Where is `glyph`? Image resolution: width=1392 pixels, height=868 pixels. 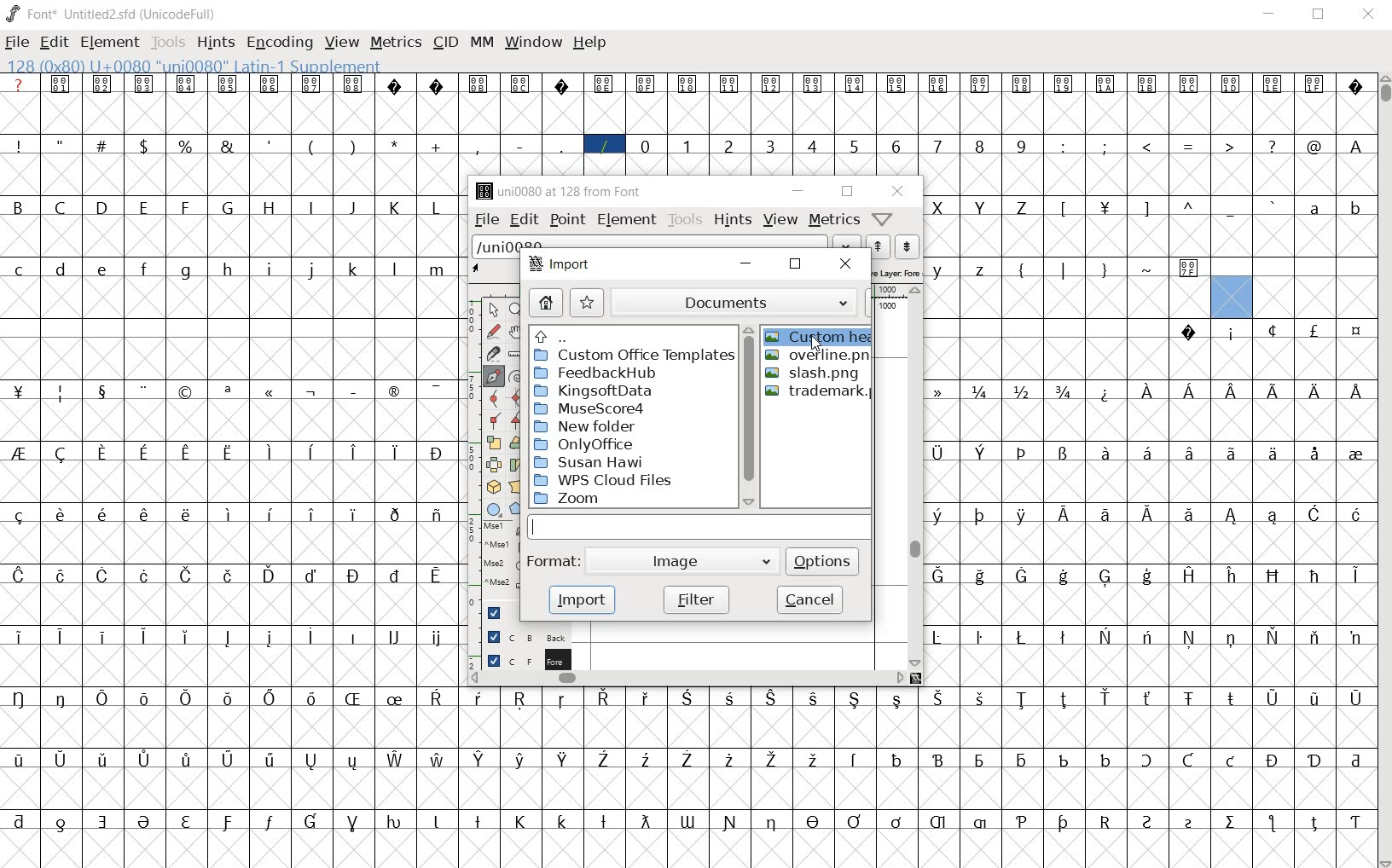
glyph is located at coordinates (1022, 637).